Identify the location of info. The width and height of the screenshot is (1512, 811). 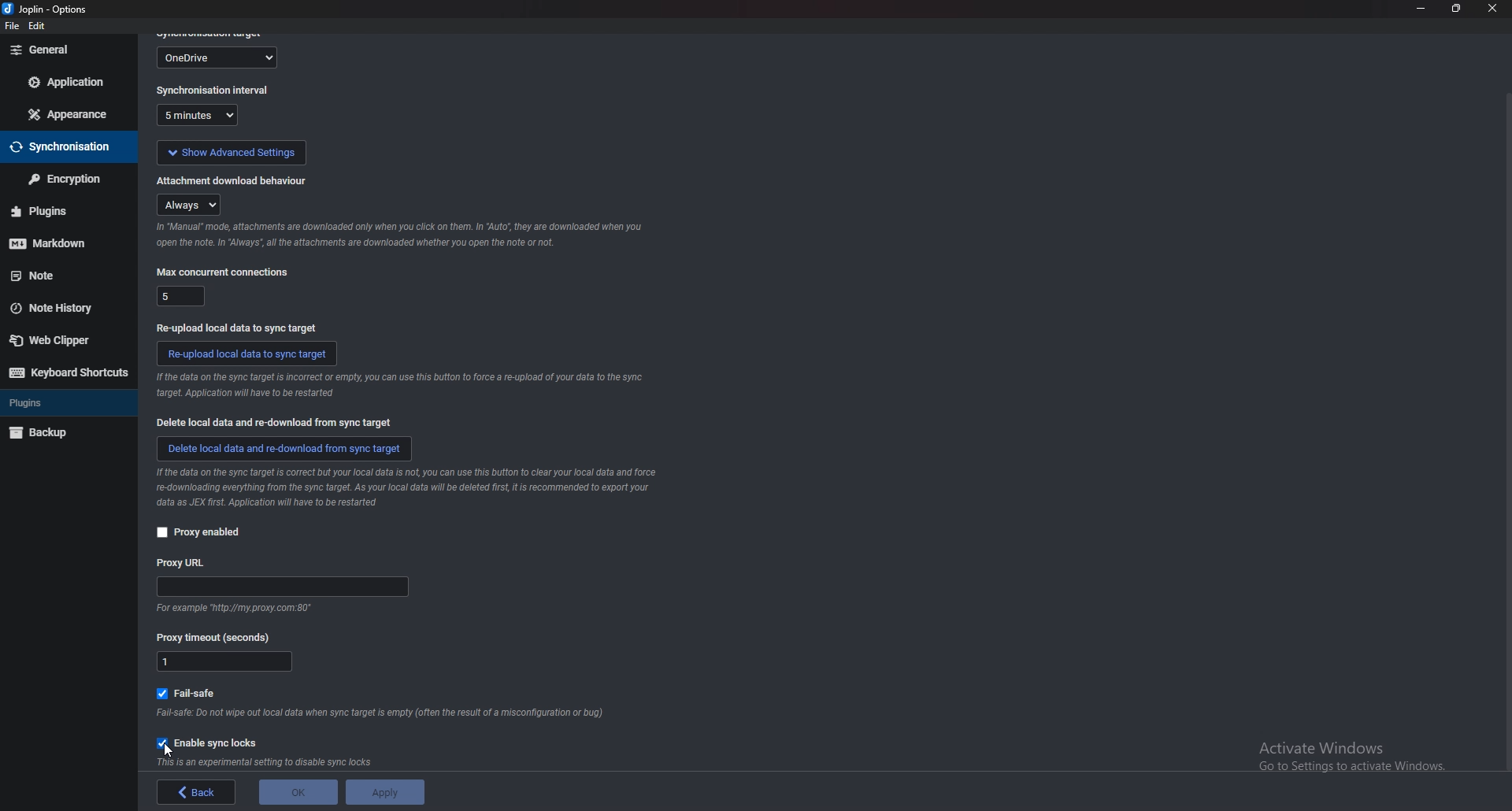
(398, 235).